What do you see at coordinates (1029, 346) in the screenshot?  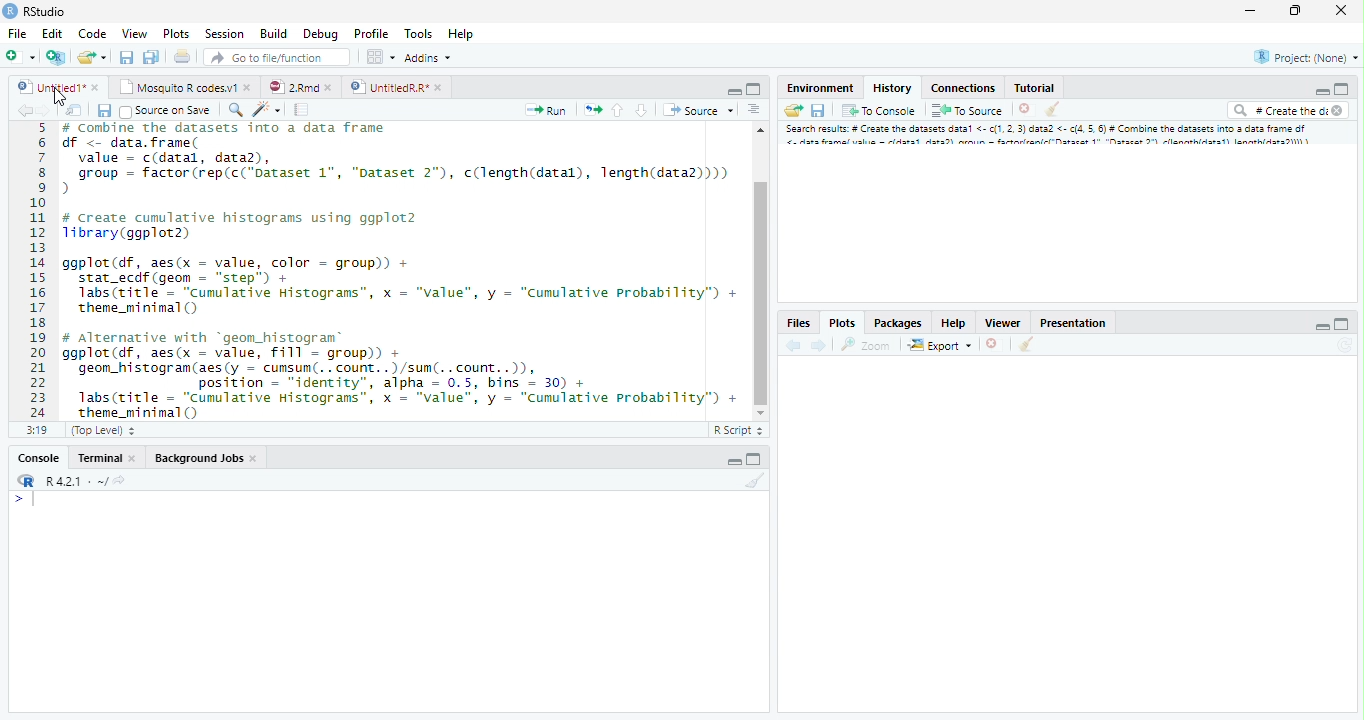 I see `Clear console` at bounding box center [1029, 346].